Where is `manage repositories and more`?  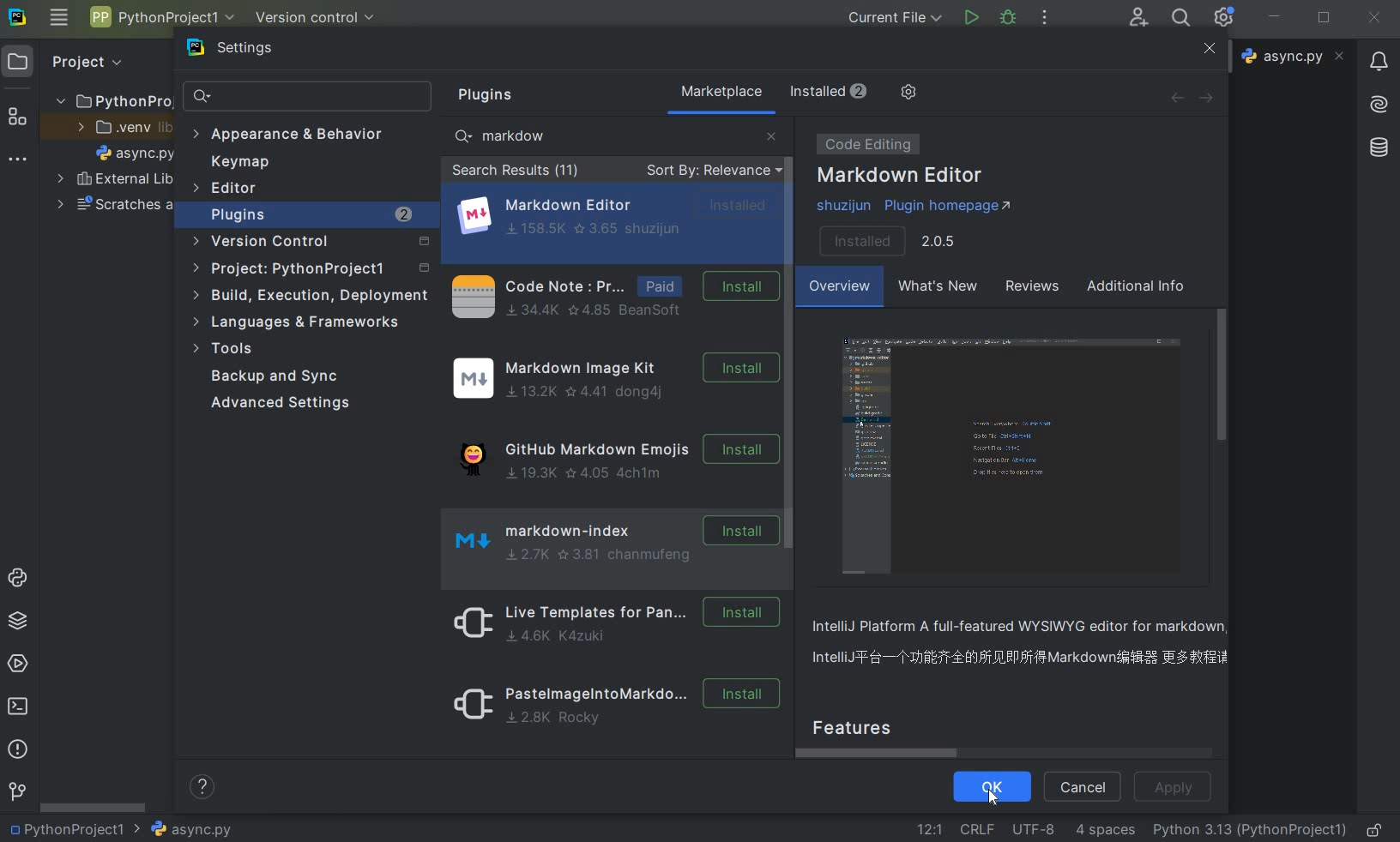 manage repositories and more is located at coordinates (908, 93).